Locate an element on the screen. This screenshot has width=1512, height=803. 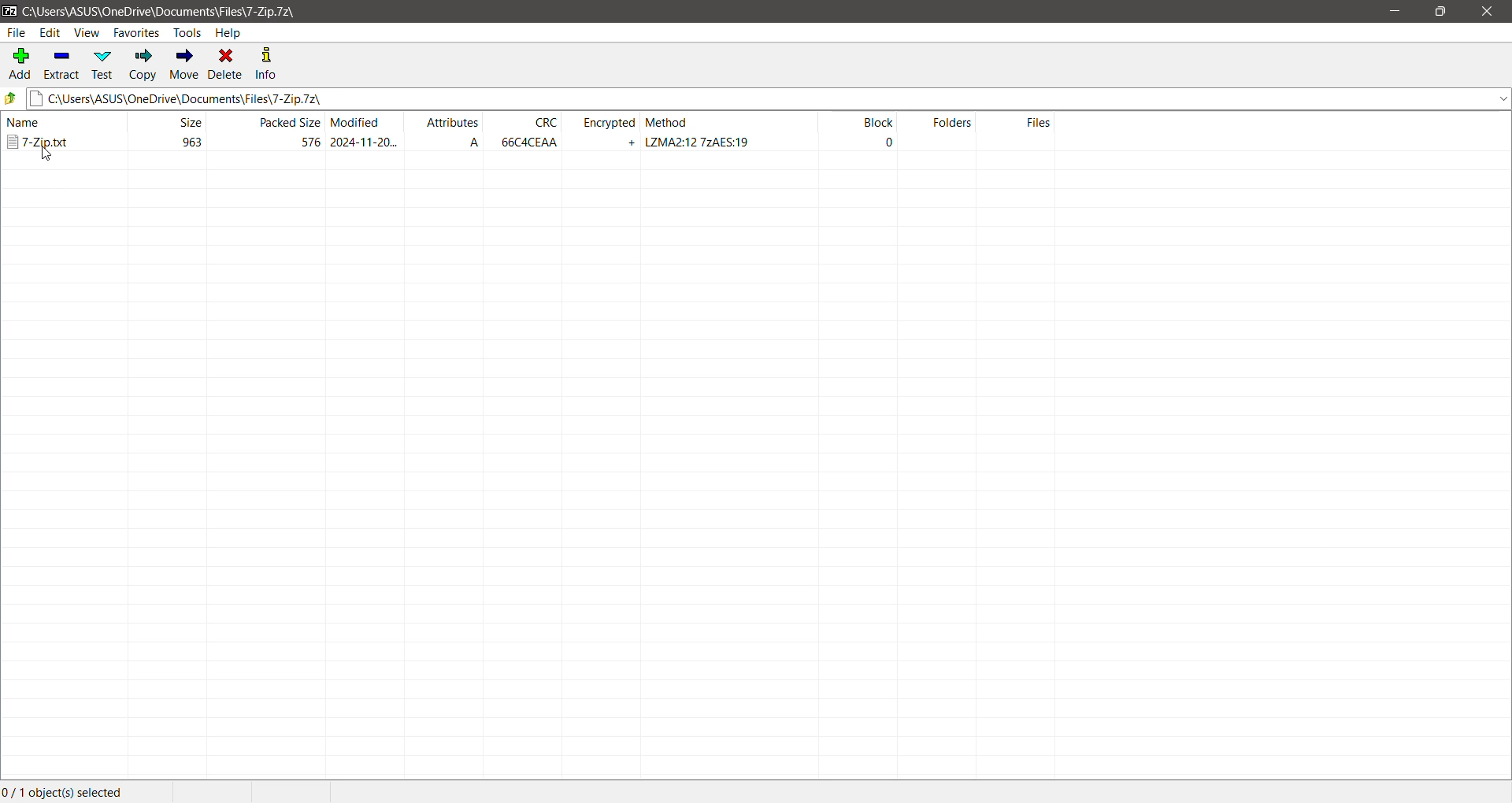
File is located at coordinates (14, 33).